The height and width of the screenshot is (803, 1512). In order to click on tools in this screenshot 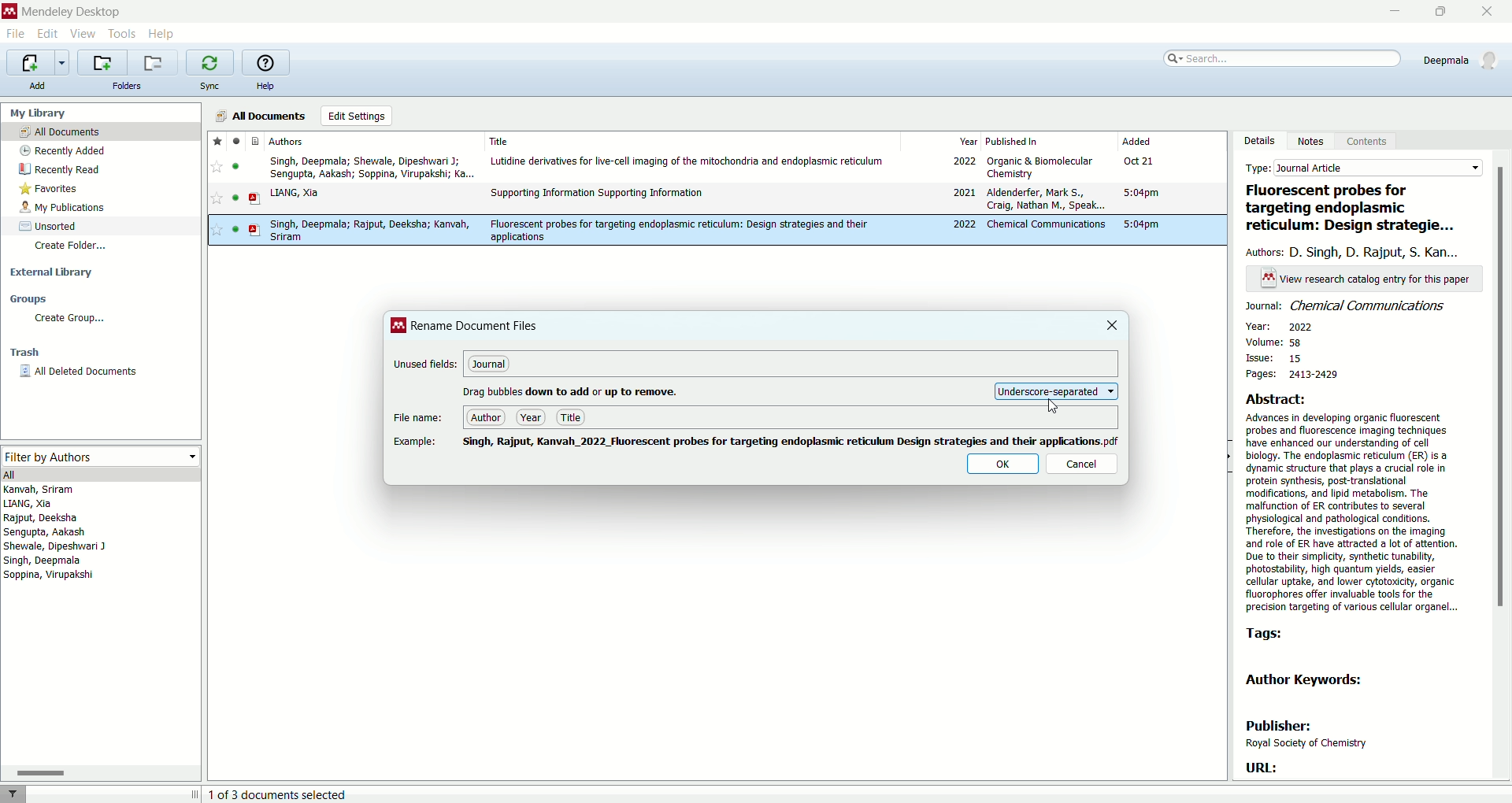, I will do `click(124, 35)`.